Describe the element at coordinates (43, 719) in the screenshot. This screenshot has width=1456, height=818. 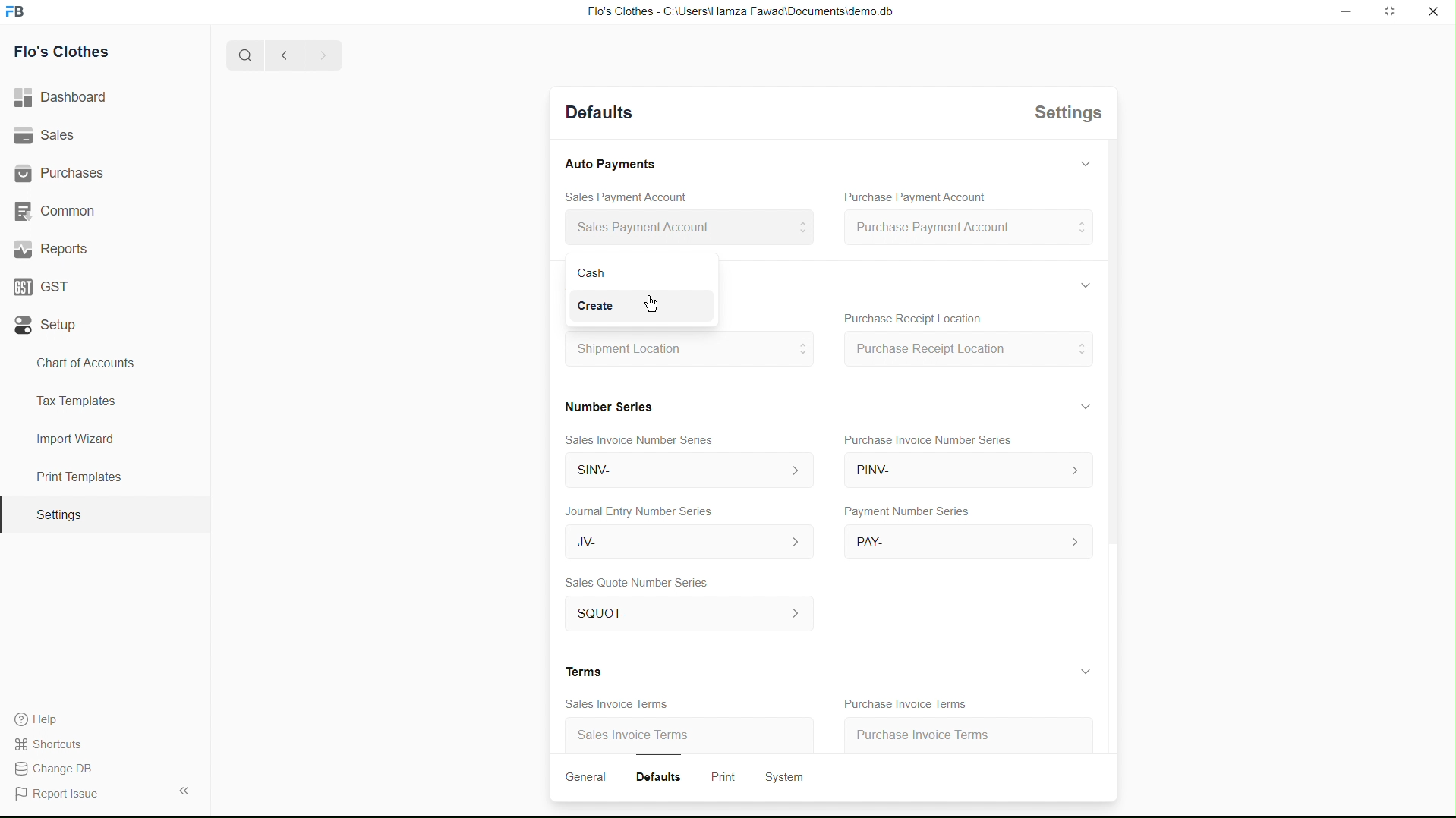
I see `Help` at that location.